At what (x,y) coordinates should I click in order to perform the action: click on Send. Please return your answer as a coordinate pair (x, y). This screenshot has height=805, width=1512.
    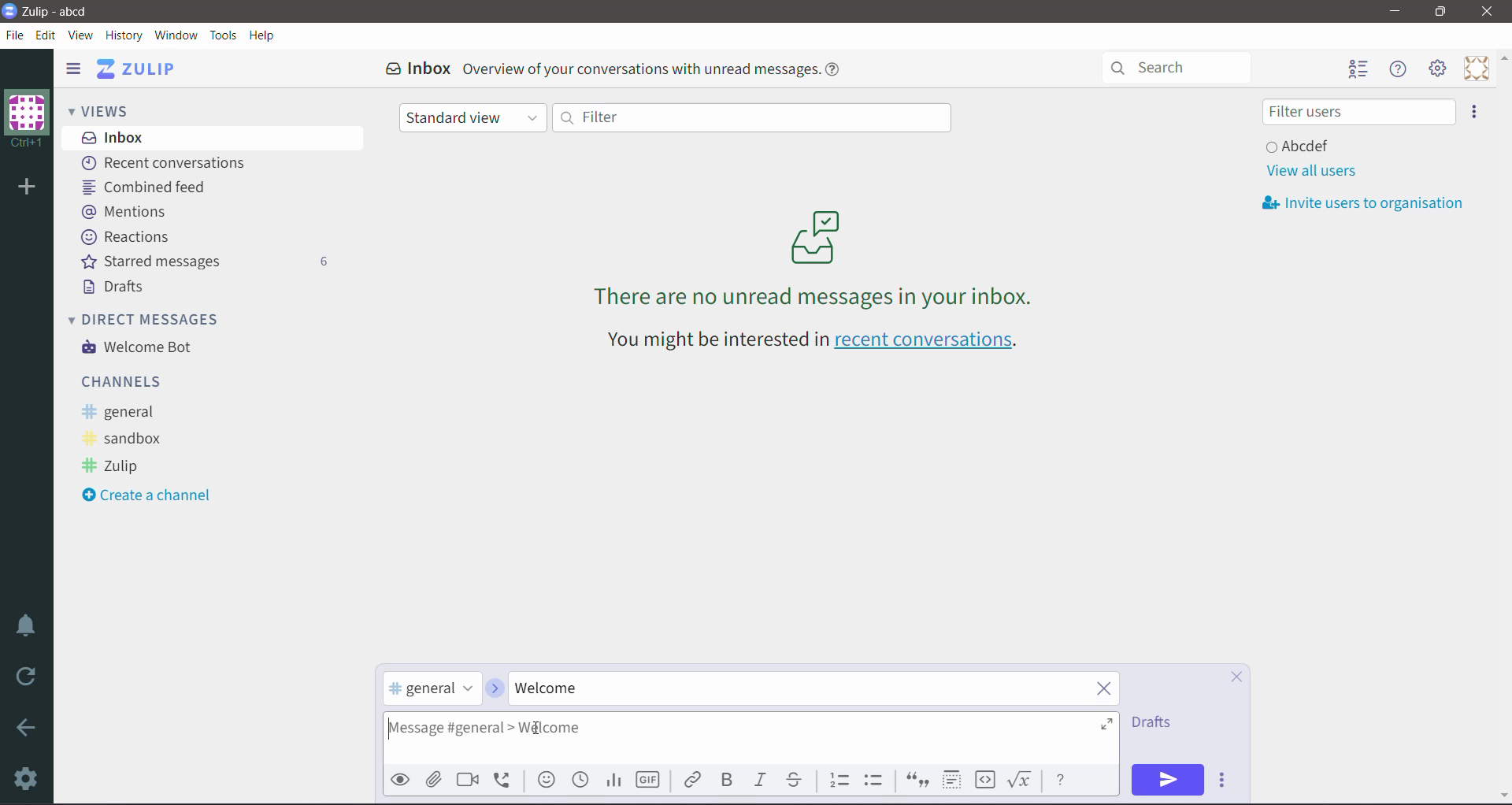
    Looking at the image, I should click on (1168, 780).